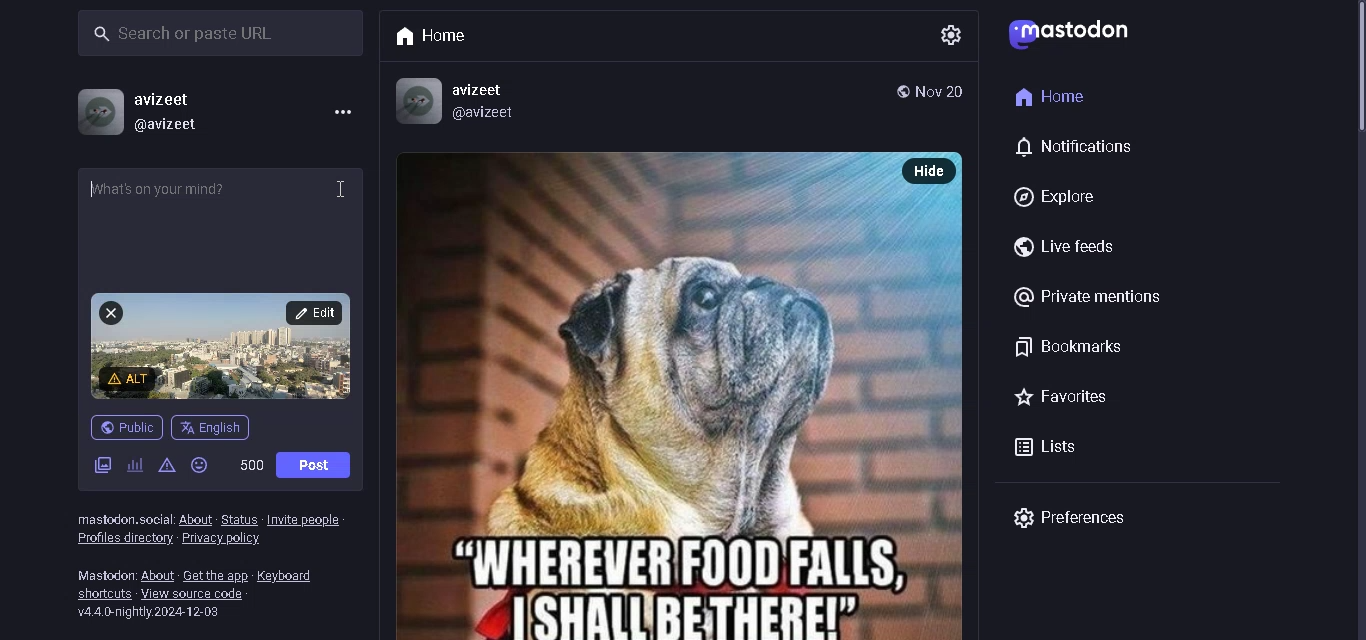 This screenshot has width=1366, height=640. What do you see at coordinates (127, 428) in the screenshot?
I see `public` at bounding box center [127, 428].